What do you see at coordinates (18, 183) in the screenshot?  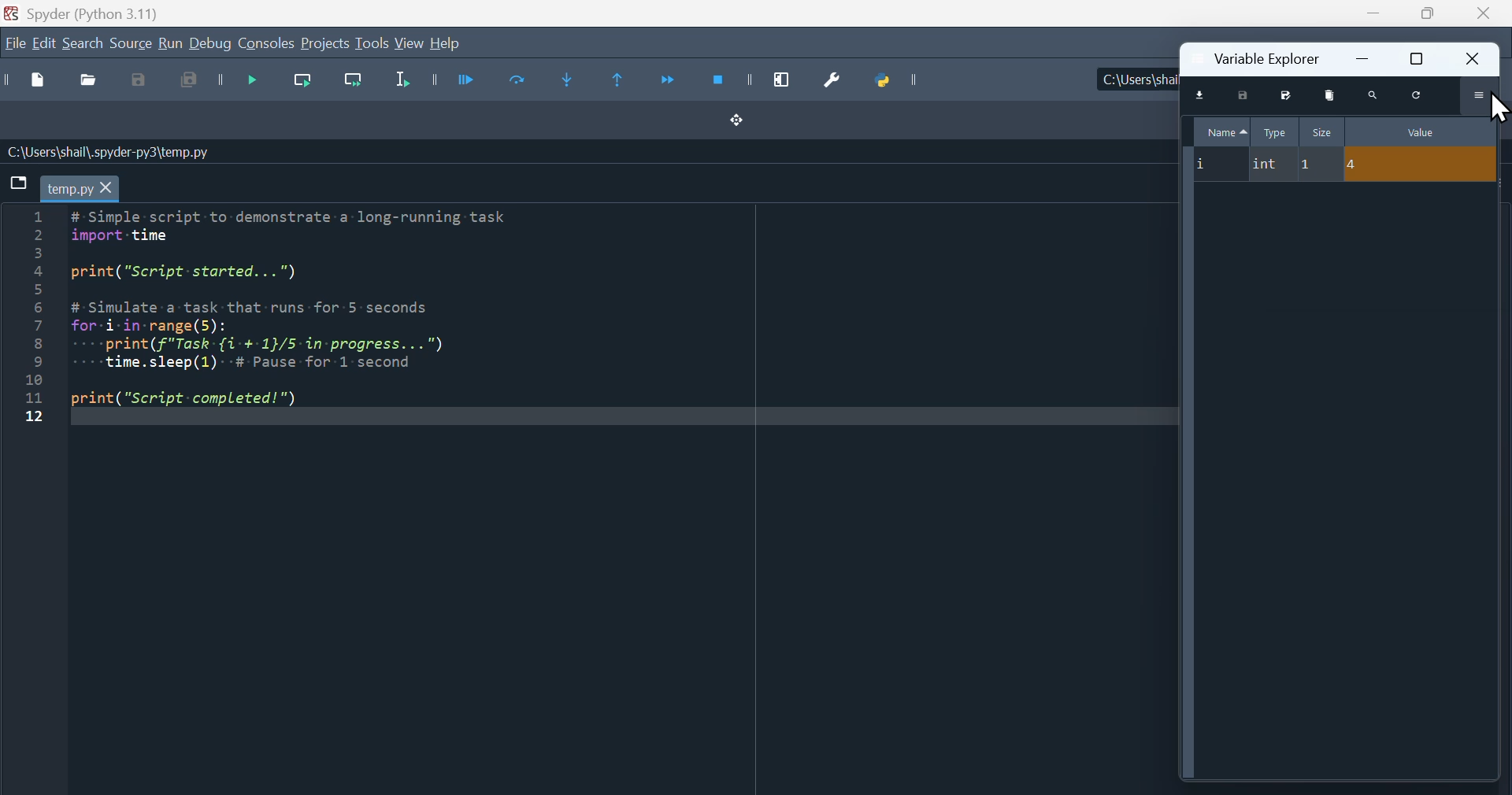 I see `browse tabs` at bounding box center [18, 183].